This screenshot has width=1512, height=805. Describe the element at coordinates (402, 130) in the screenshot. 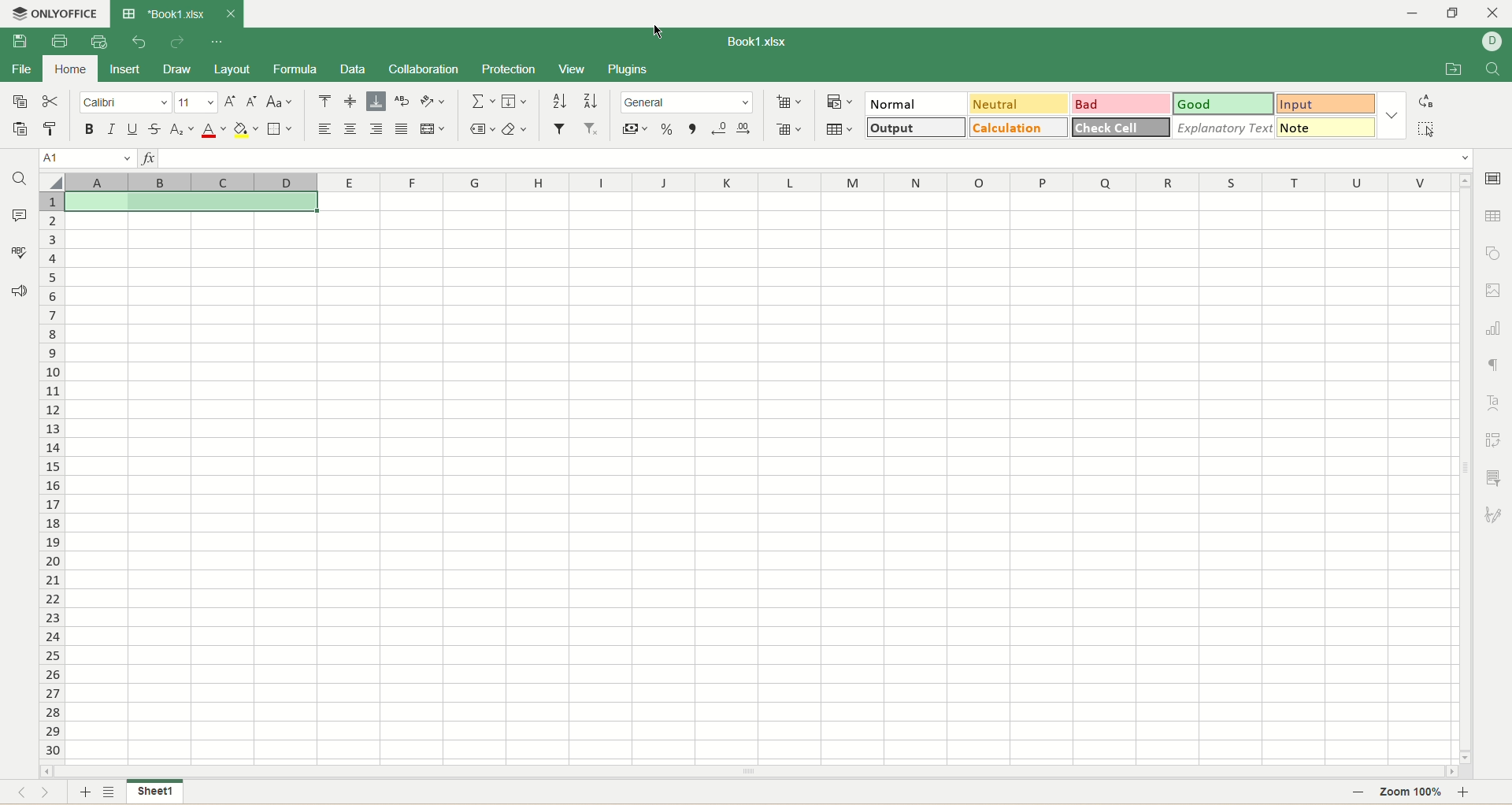

I see `justified` at that location.